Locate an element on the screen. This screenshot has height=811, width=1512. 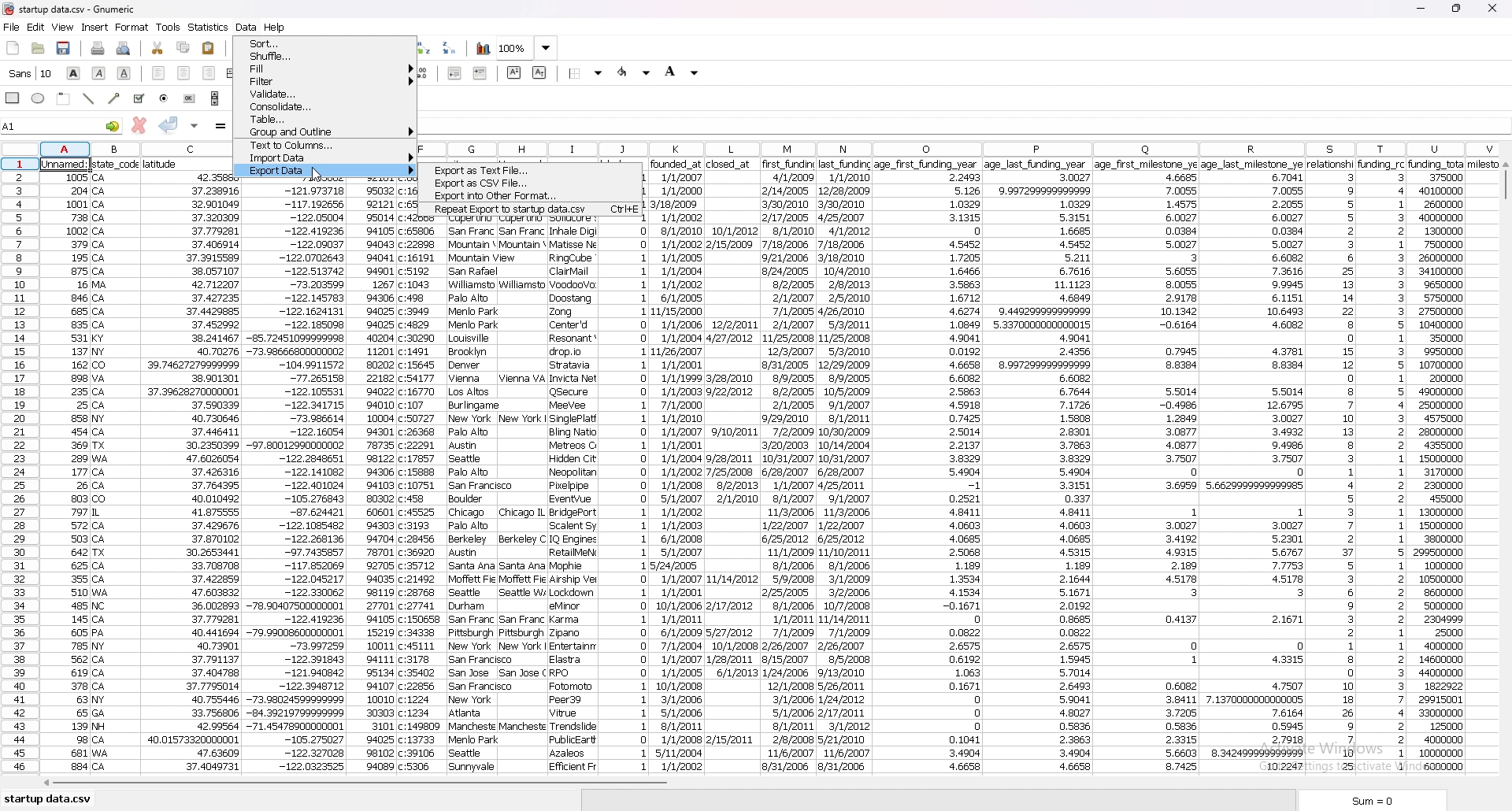
data is located at coordinates (790, 468).